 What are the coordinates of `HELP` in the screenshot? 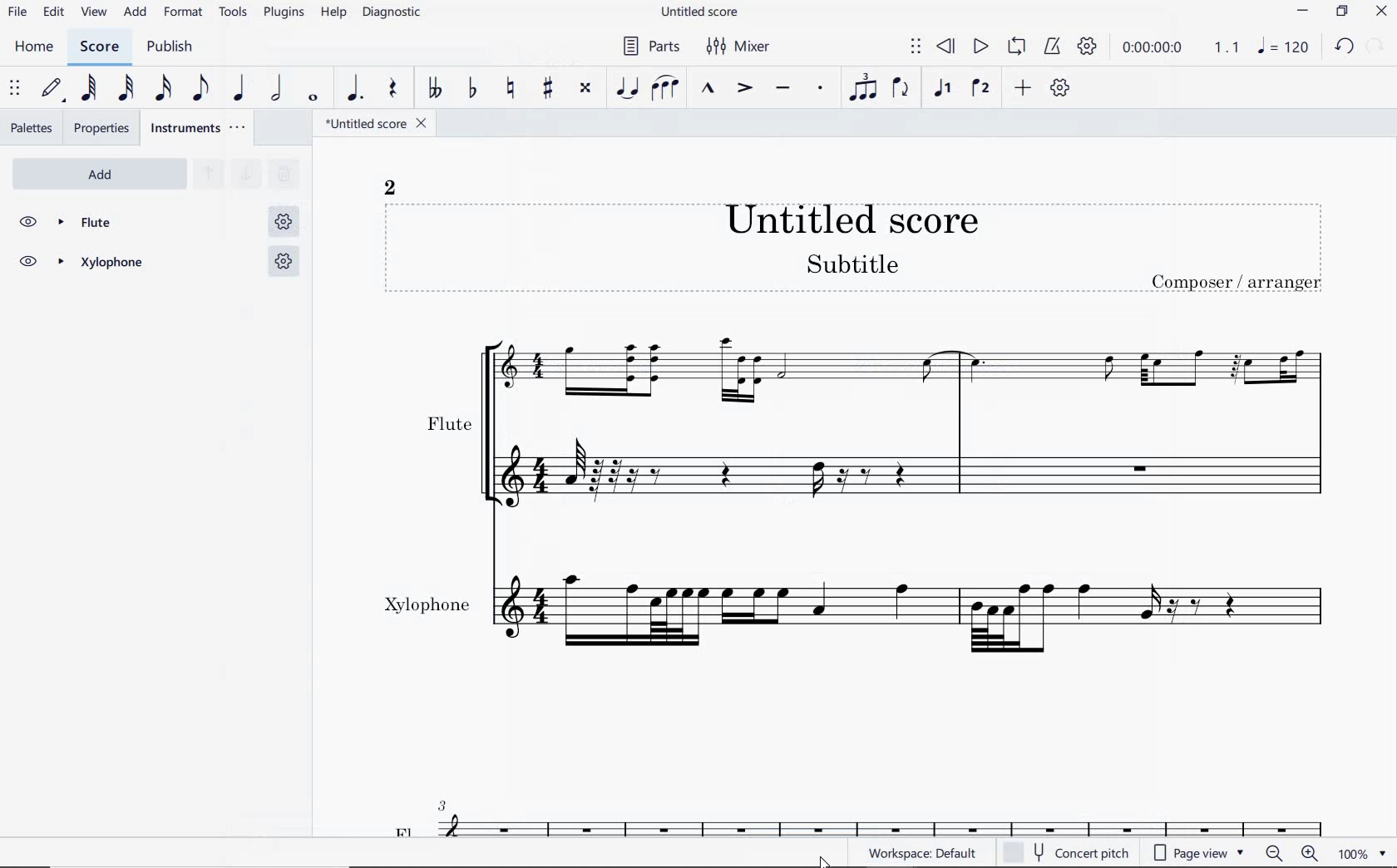 It's located at (333, 13).